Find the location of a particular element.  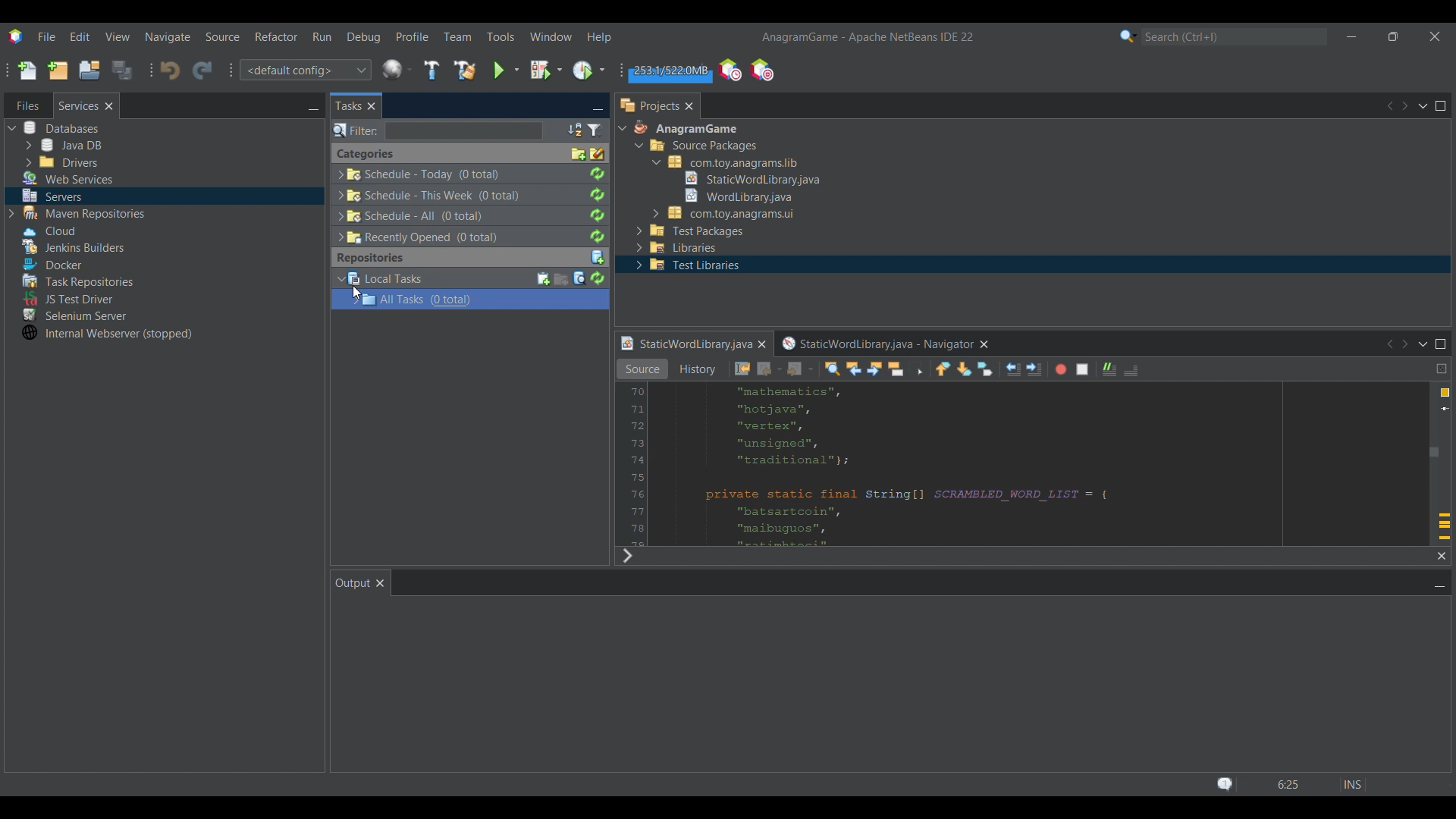

 is located at coordinates (465, 256).